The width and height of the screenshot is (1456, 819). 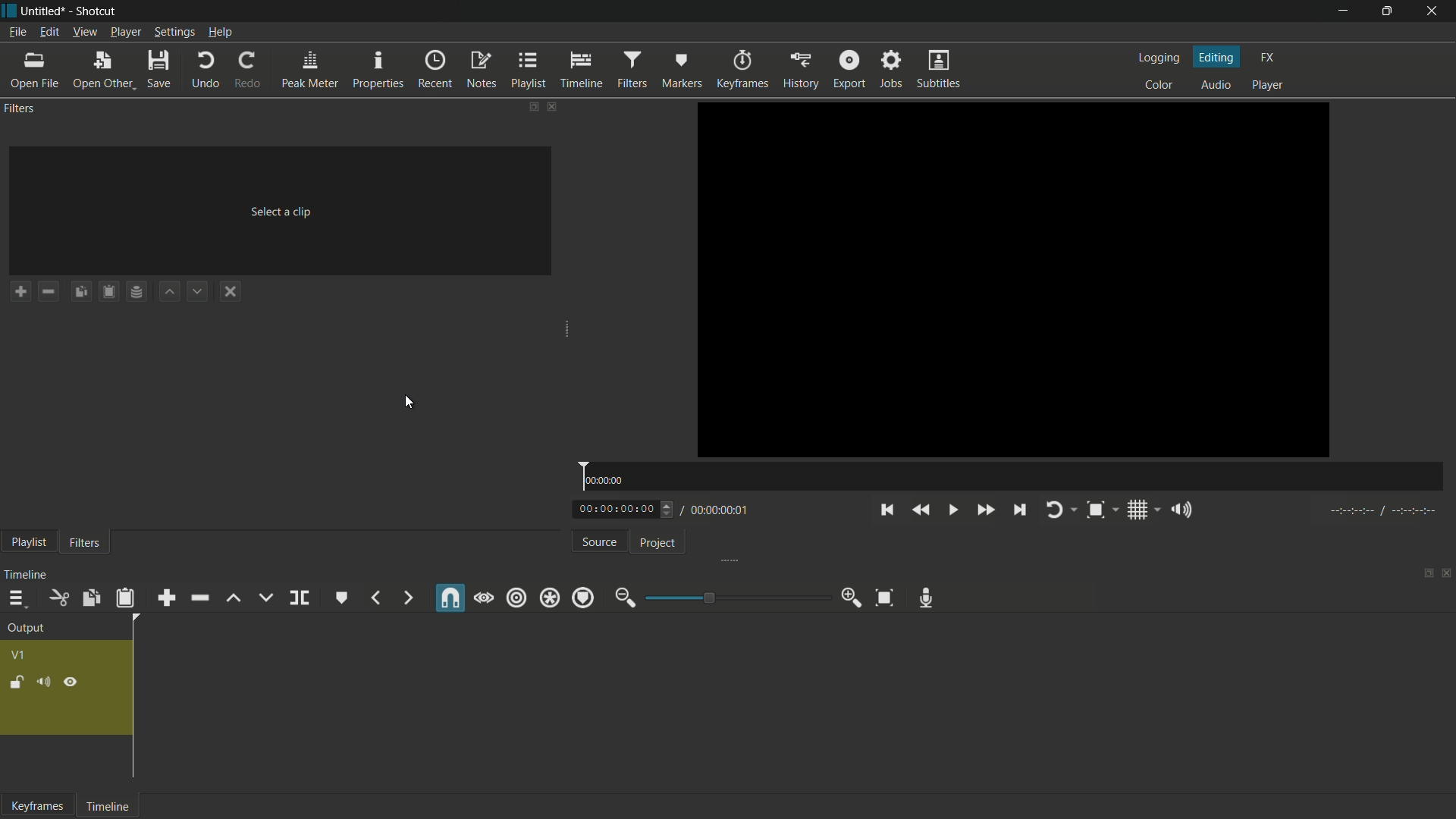 What do you see at coordinates (1018, 510) in the screenshot?
I see `skip to the next point` at bounding box center [1018, 510].